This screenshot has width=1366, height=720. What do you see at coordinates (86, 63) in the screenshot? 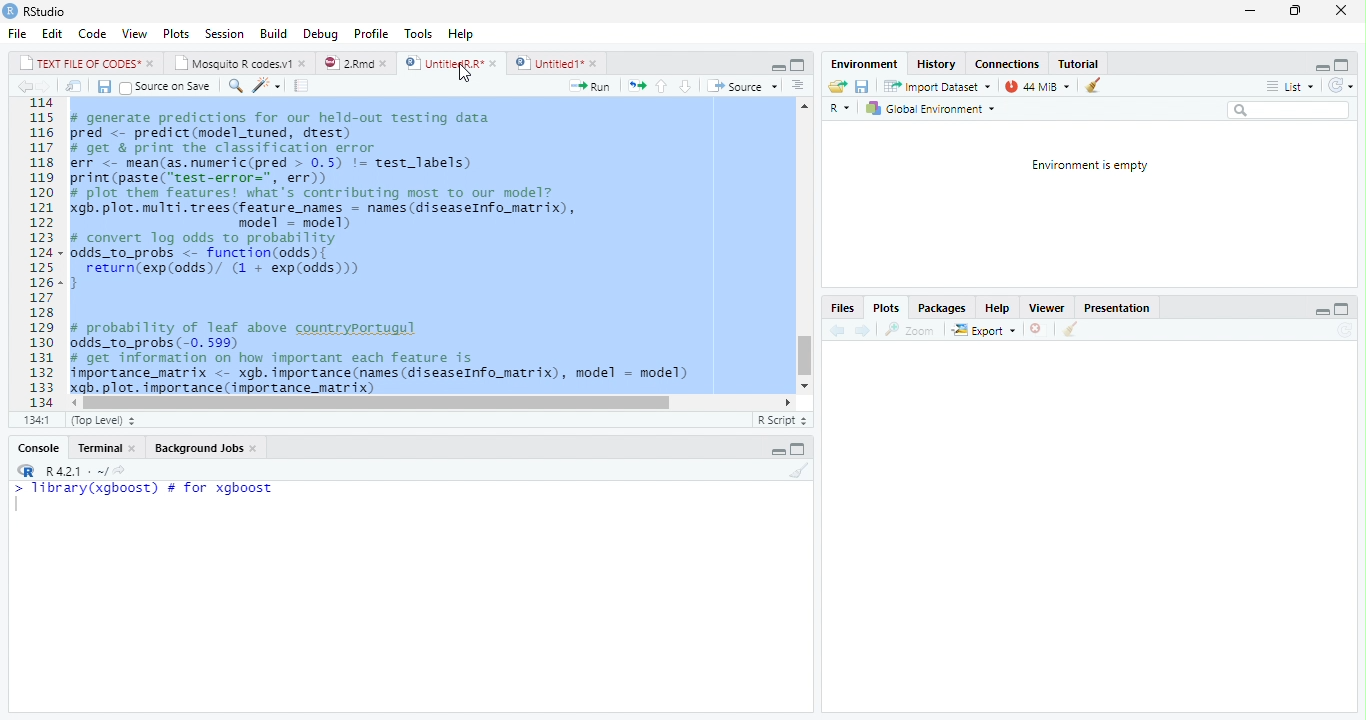
I see `TEXT FILE OF CODES" ` at bounding box center [86, 63].